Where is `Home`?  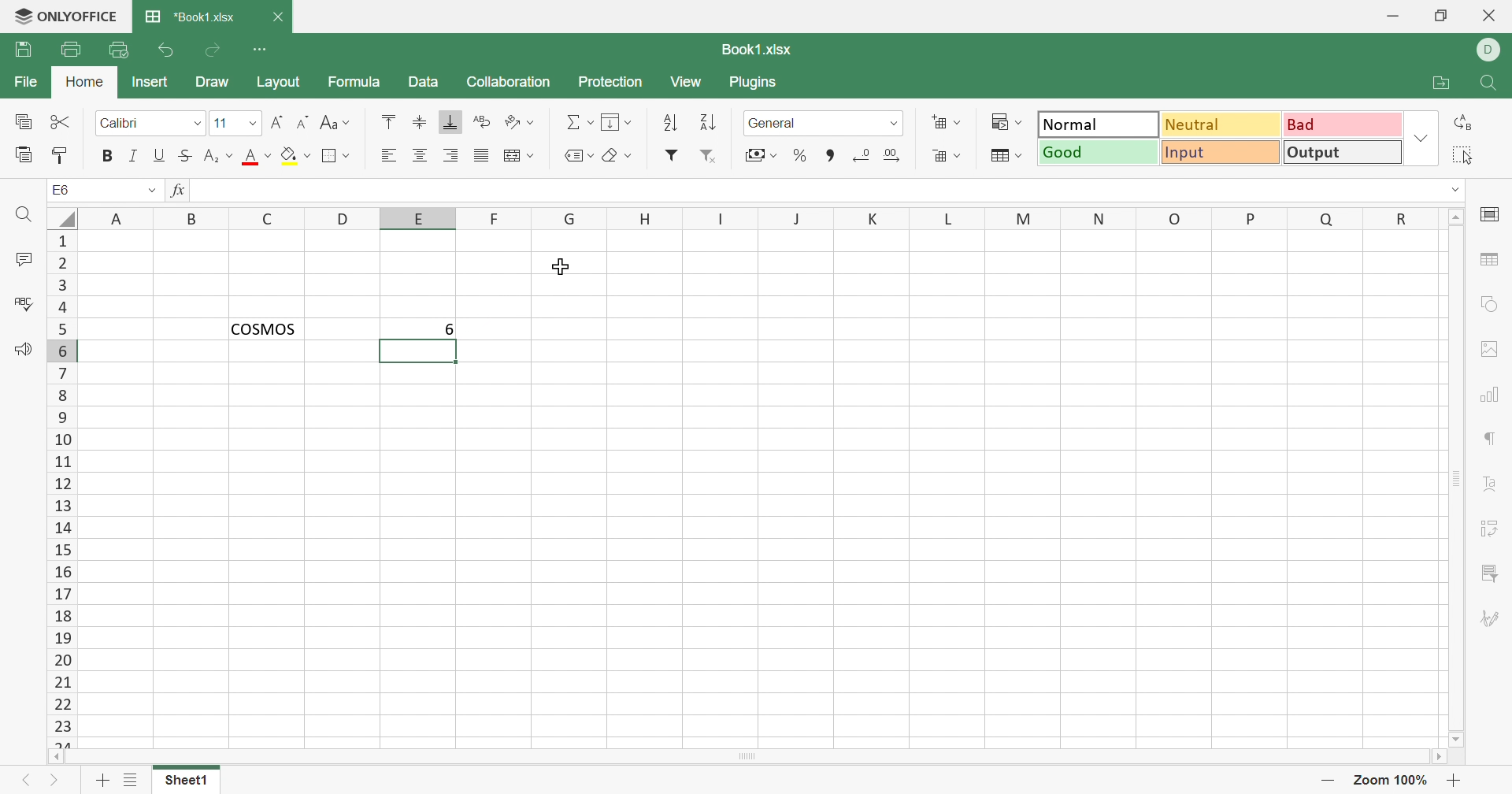 Home is located at coordinates (85, 82).